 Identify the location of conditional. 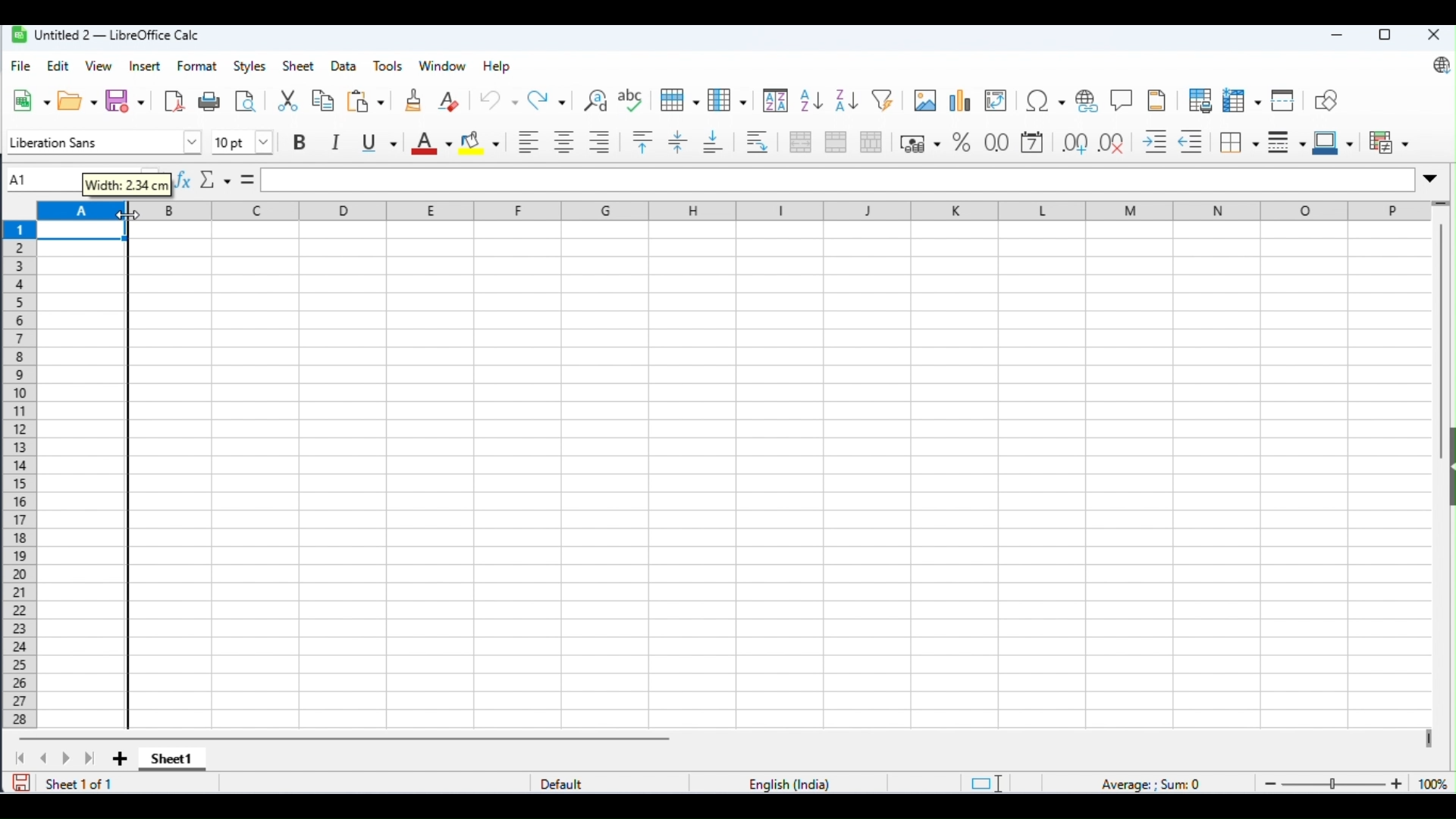
(1387, 140).